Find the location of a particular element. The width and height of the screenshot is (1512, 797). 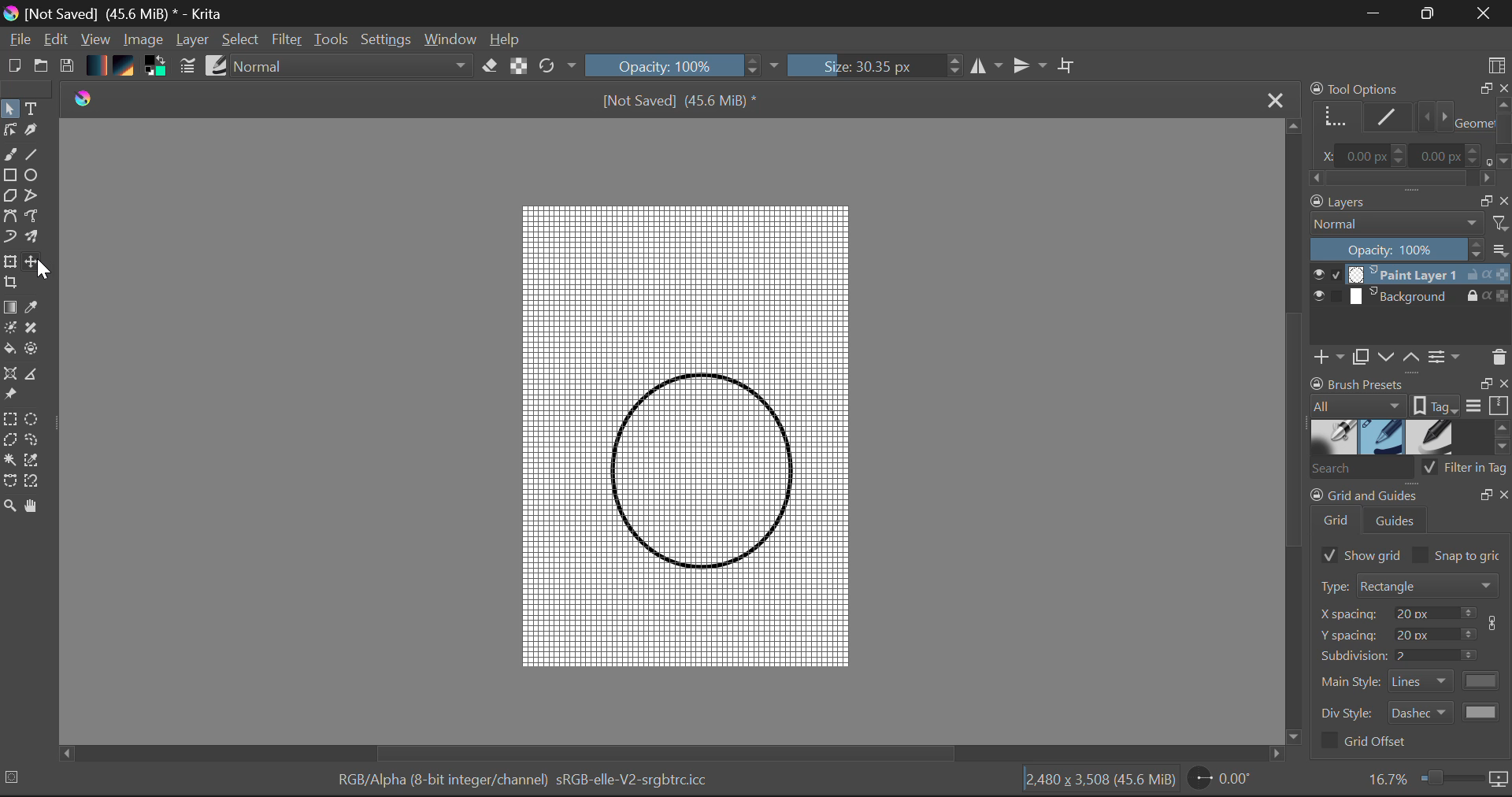

Blending Mode is located at coordinates (1409, 224).